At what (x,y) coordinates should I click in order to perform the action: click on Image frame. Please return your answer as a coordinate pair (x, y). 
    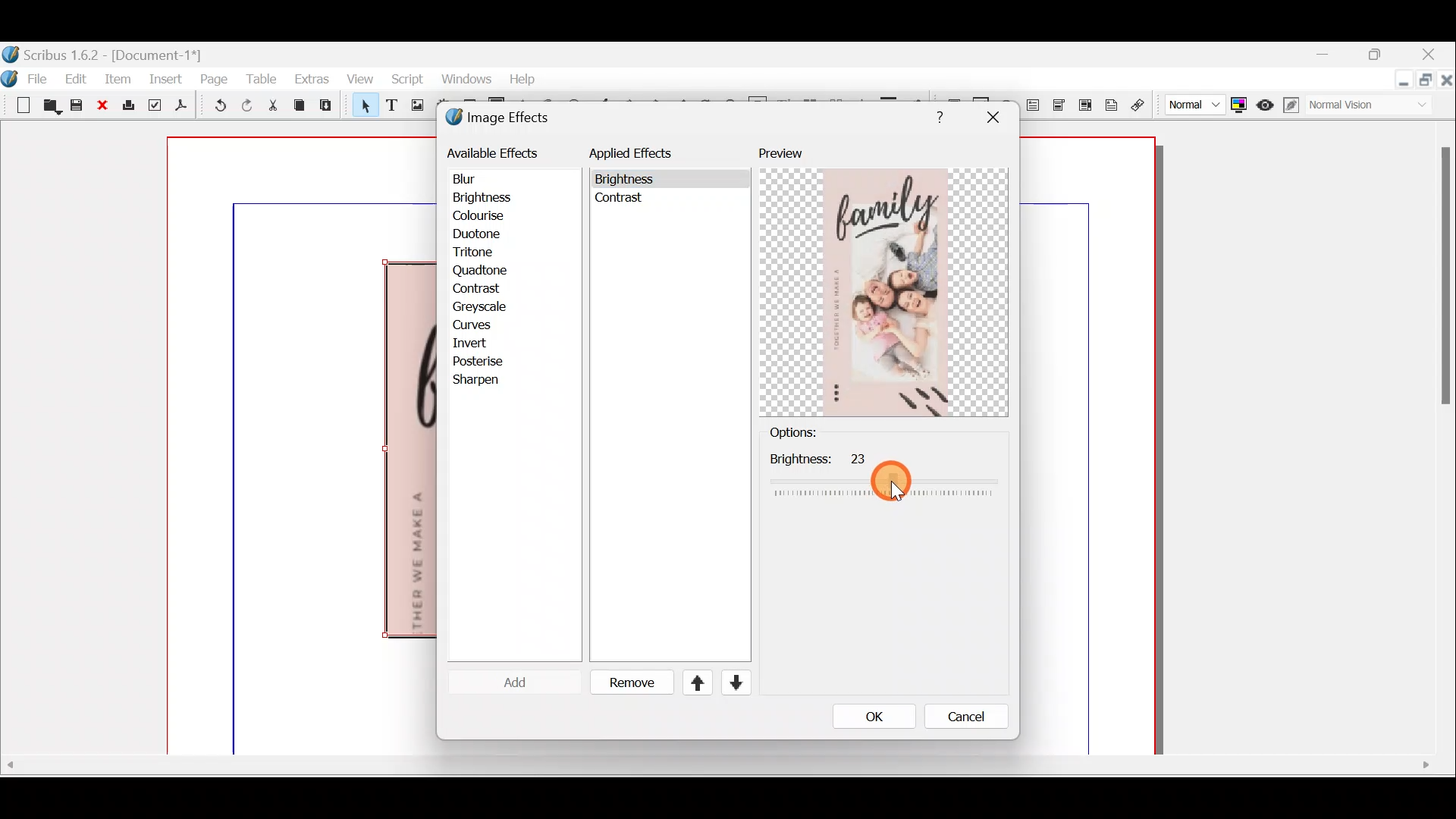
    Looking at the image, I should click on (415, 107).